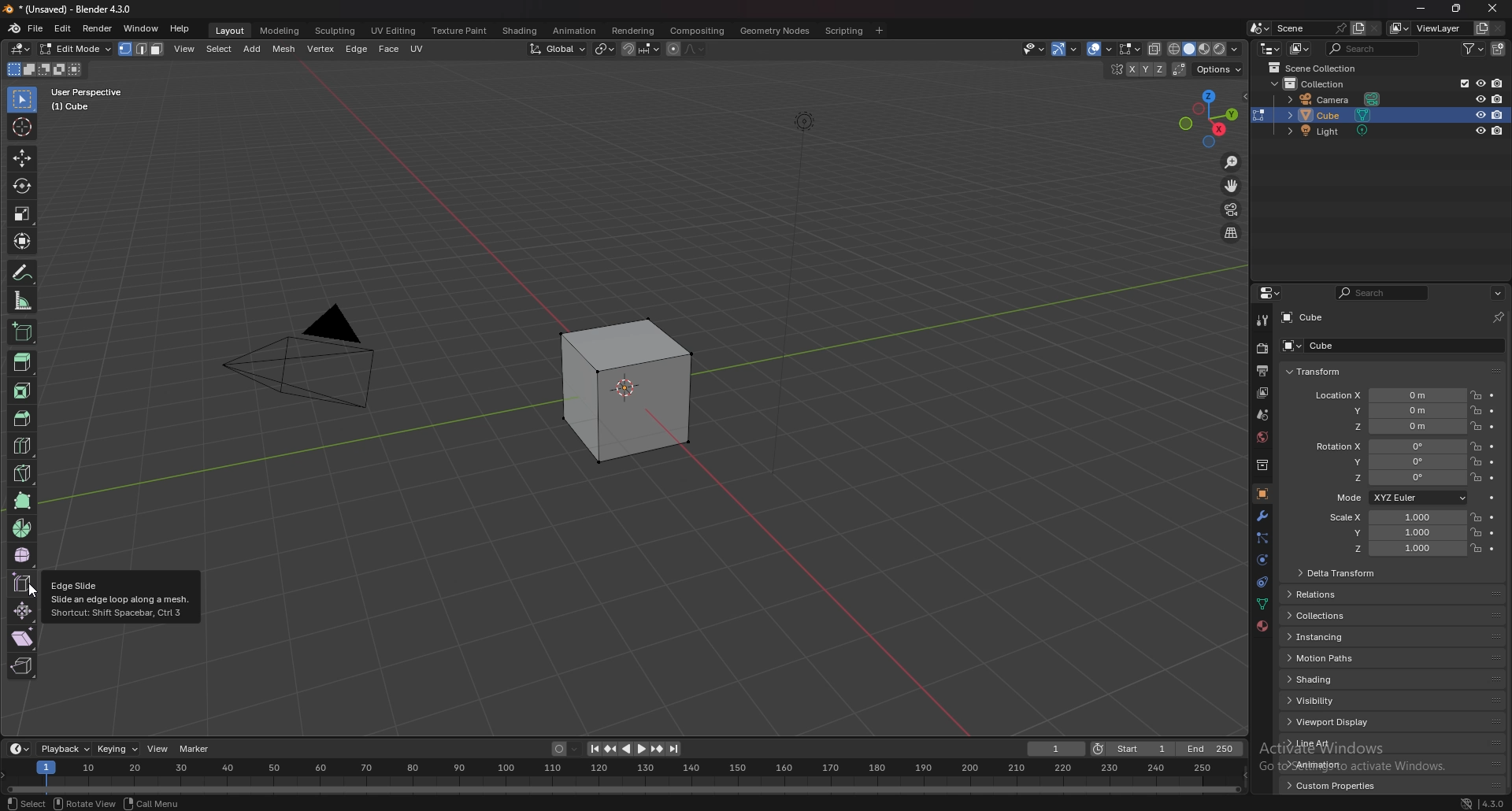  What do you see at coordinates (1395, 479) in the screenshot?
I see `rotation z` at bounding box center [1395, 479].